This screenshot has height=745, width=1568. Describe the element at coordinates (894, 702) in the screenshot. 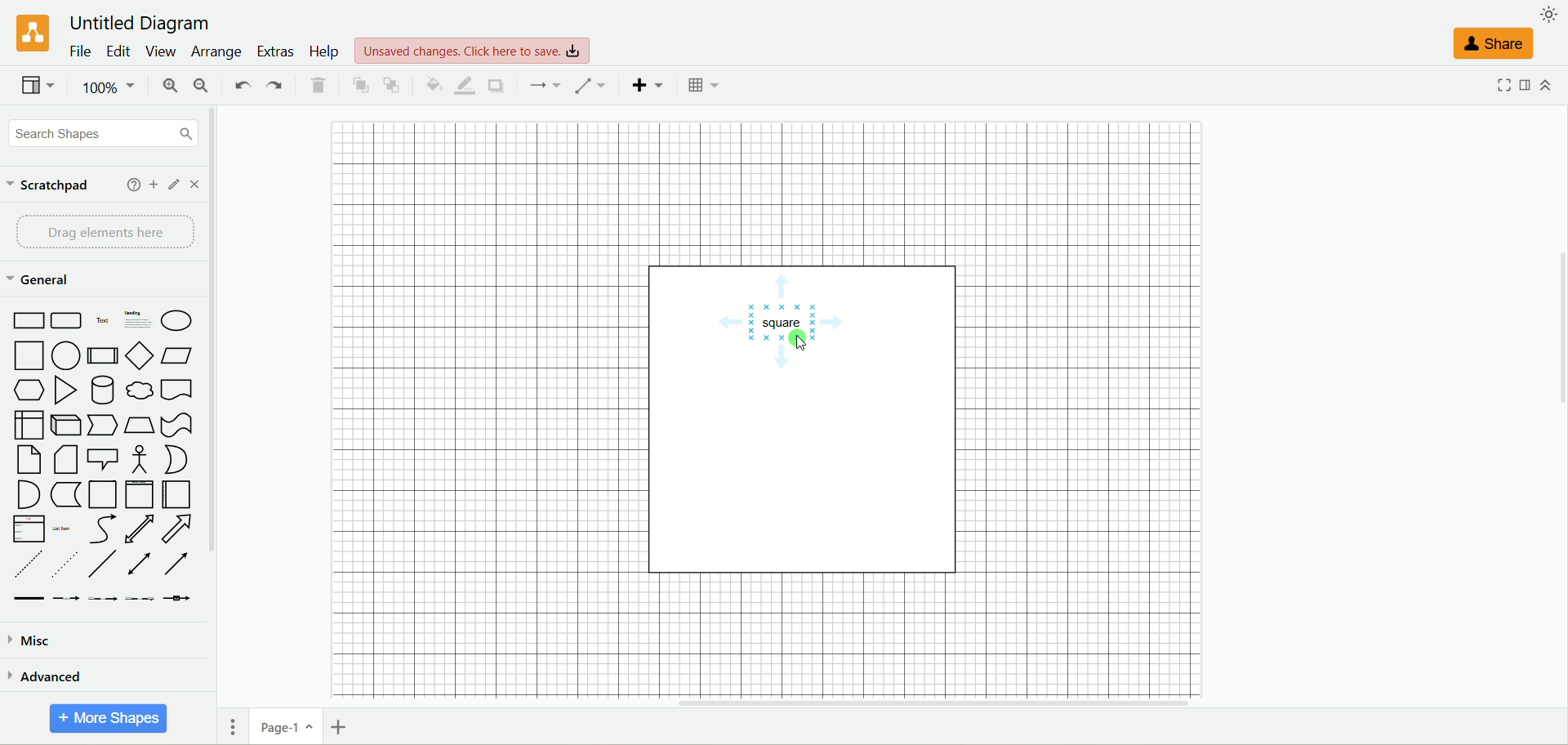

I see `horizontal scroll bar` at that location.